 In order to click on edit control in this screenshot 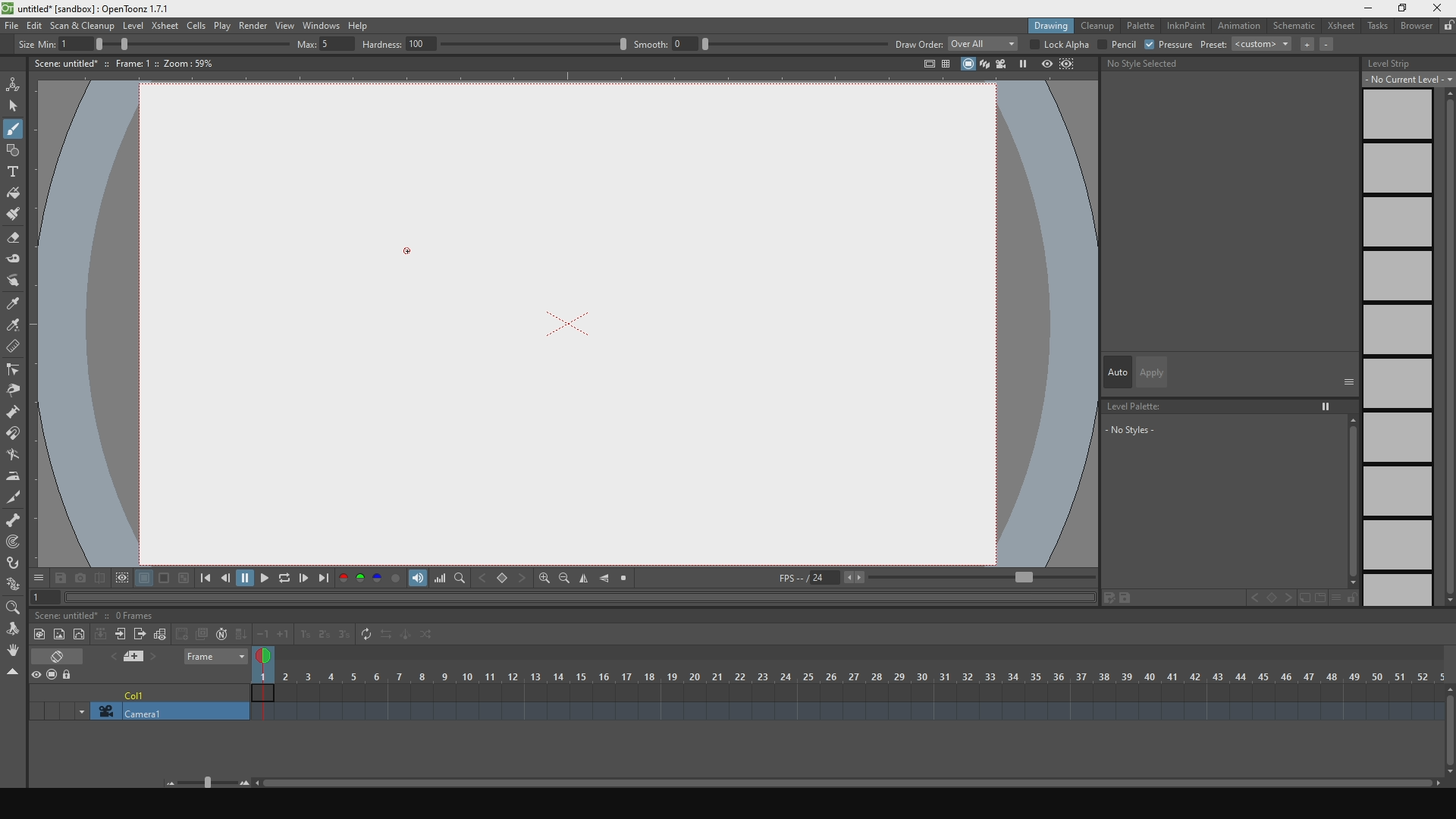, I will do `click(14, 371)`.